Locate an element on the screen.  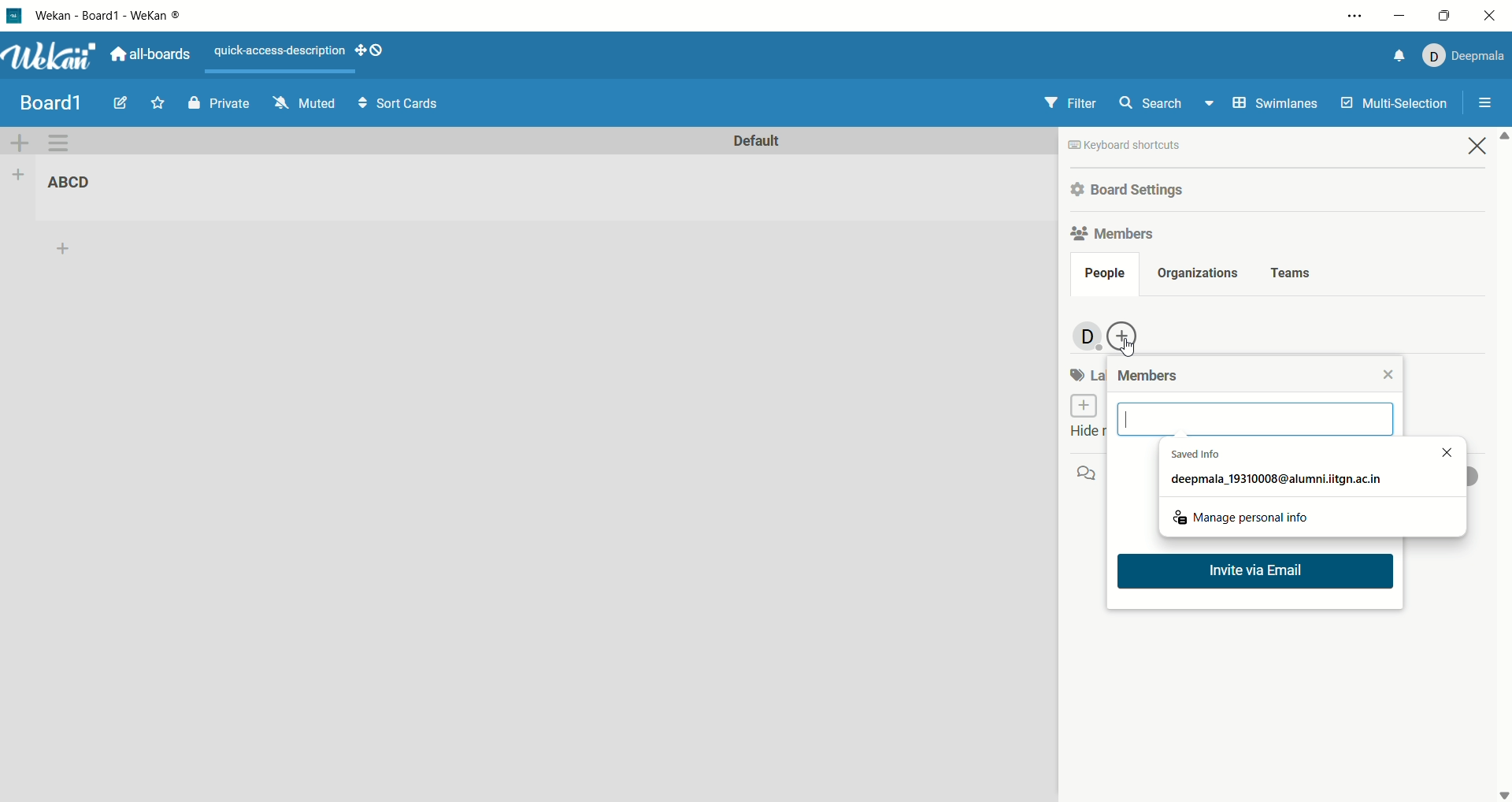
search is located at coordinates (1169, 102).